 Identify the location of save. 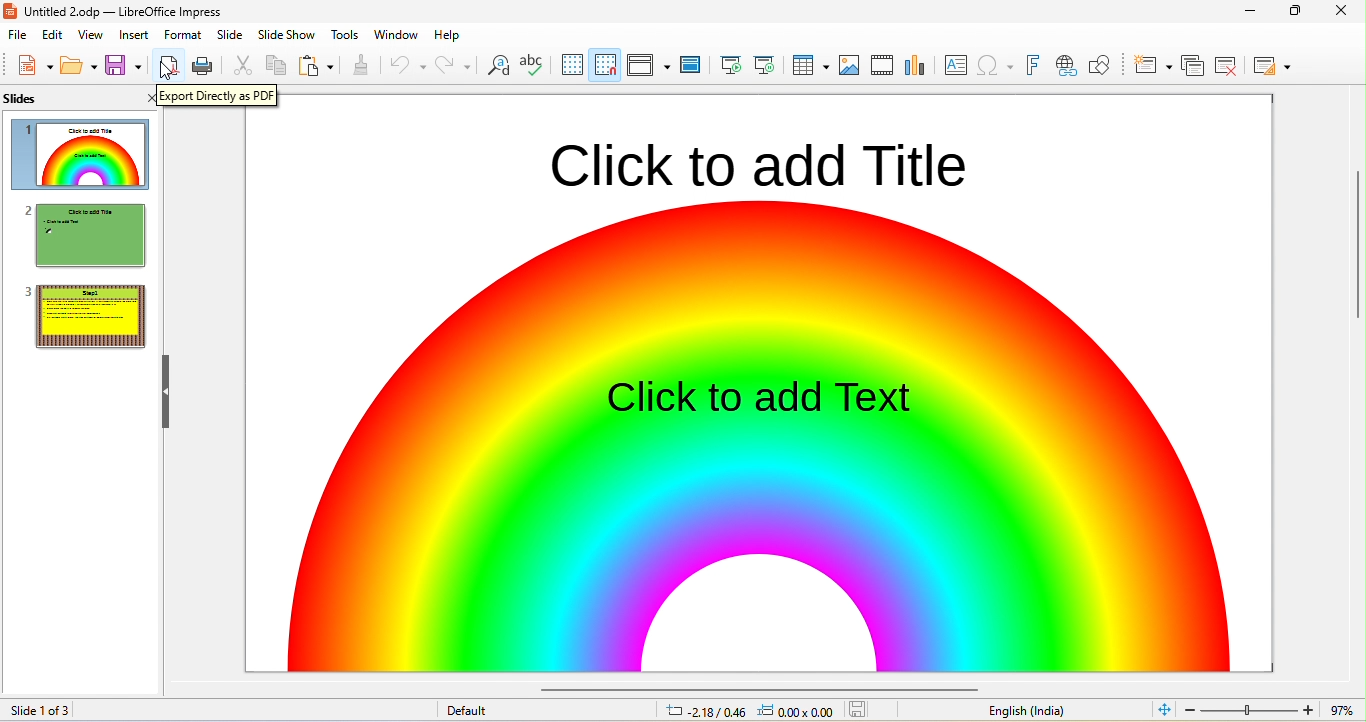
(859, 709).